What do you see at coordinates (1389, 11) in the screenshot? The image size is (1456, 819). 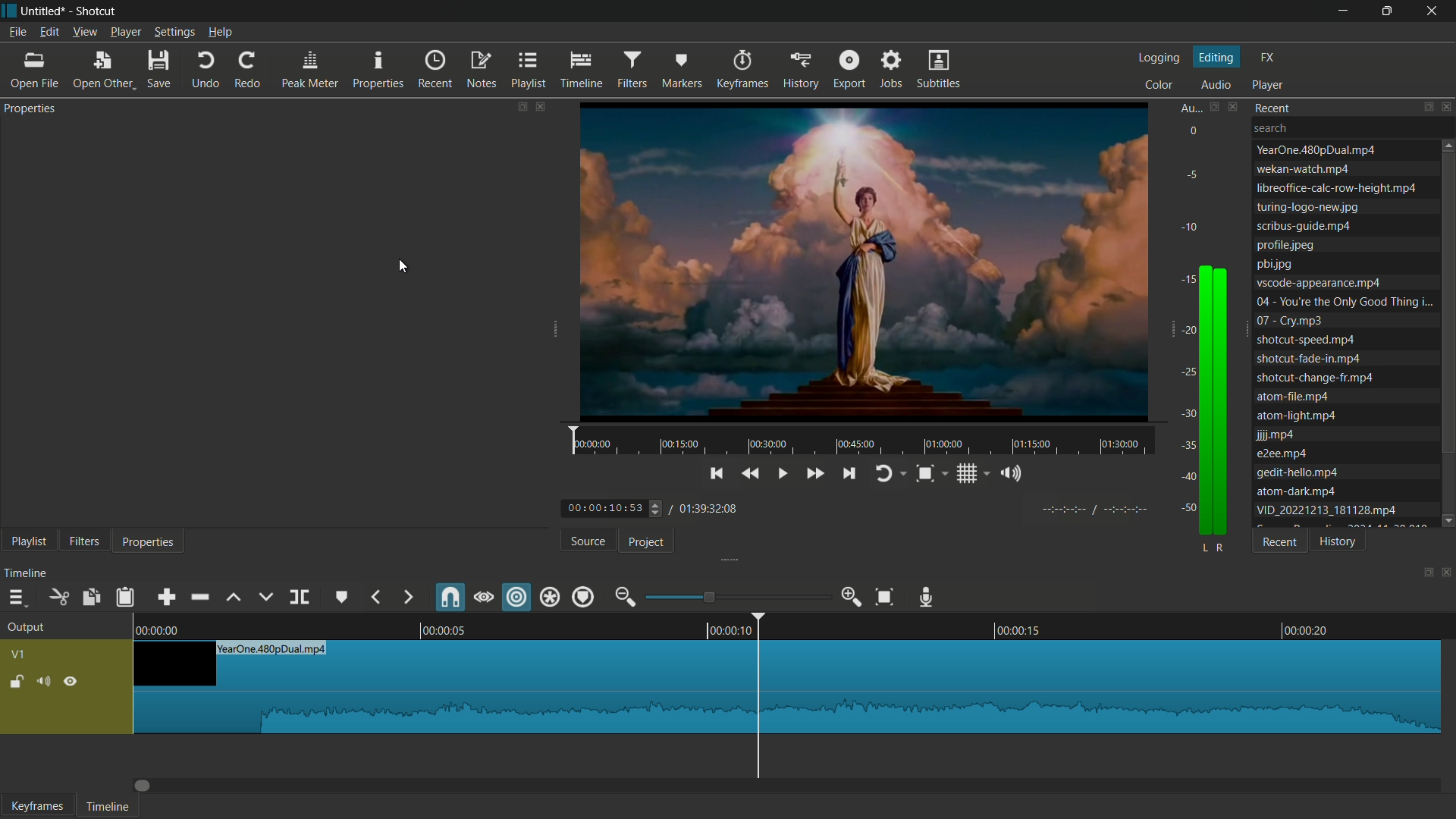 I see `maximize` at bounding box center [1389, 11].